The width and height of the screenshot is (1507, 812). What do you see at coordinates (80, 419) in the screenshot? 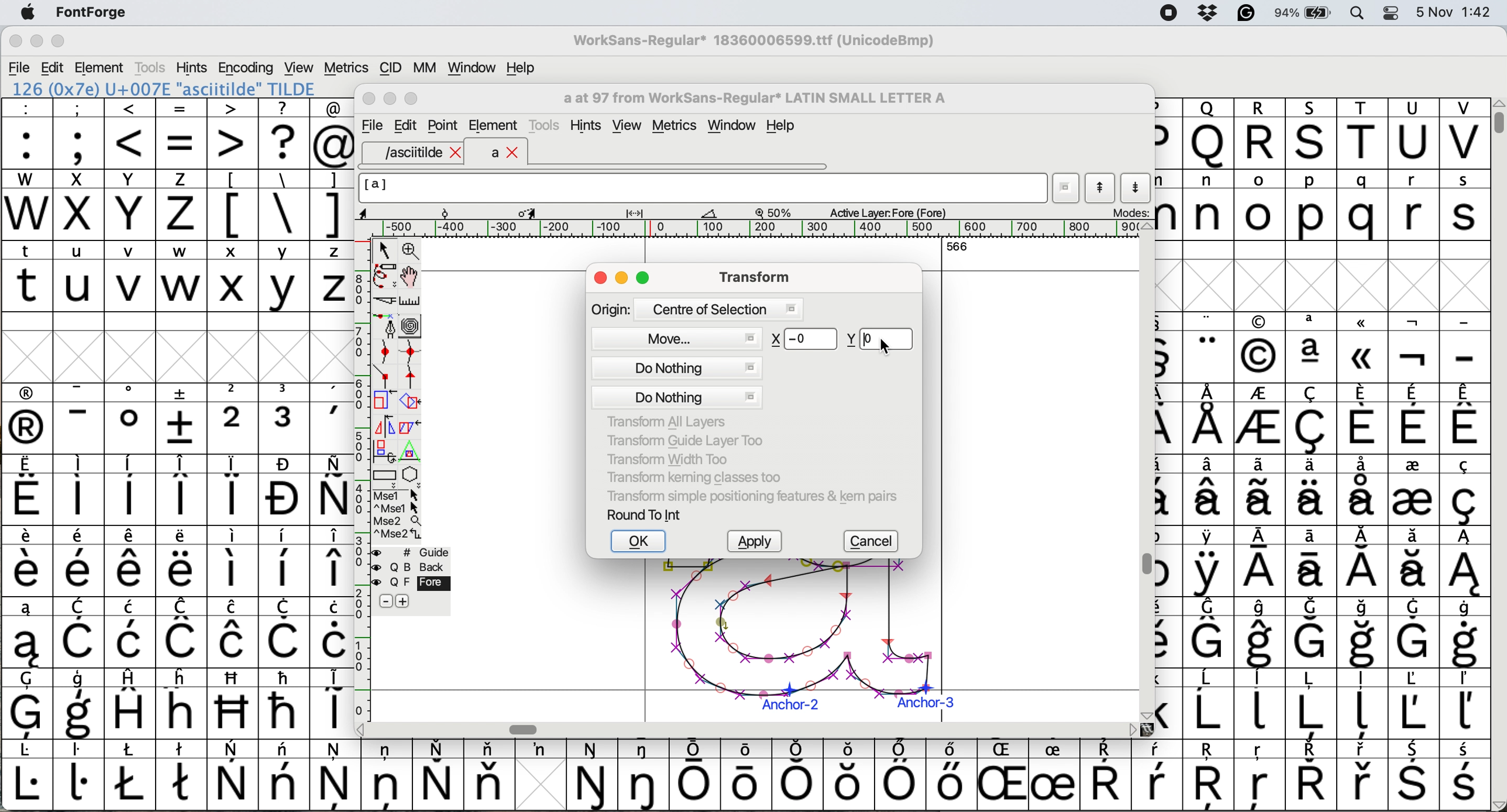
I see `symbol` at bounding box center [80, 419].